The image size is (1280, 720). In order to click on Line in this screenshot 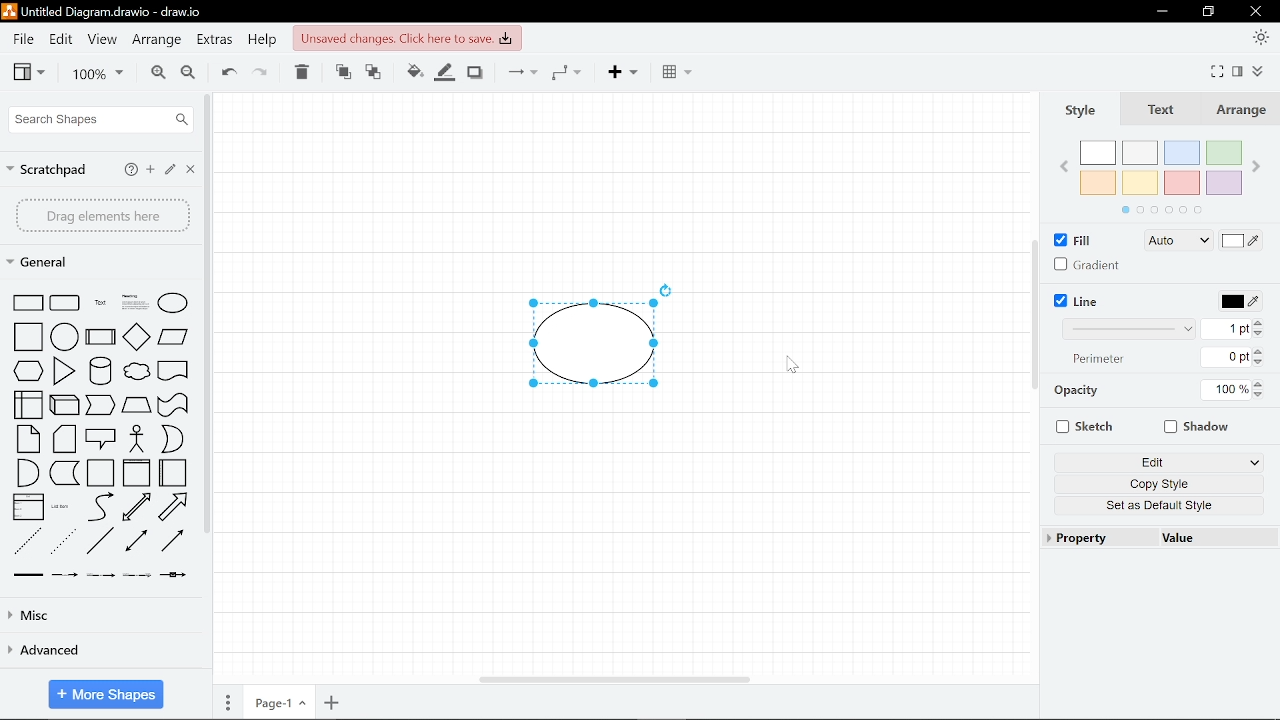, I will do `click(1076, 301)`.